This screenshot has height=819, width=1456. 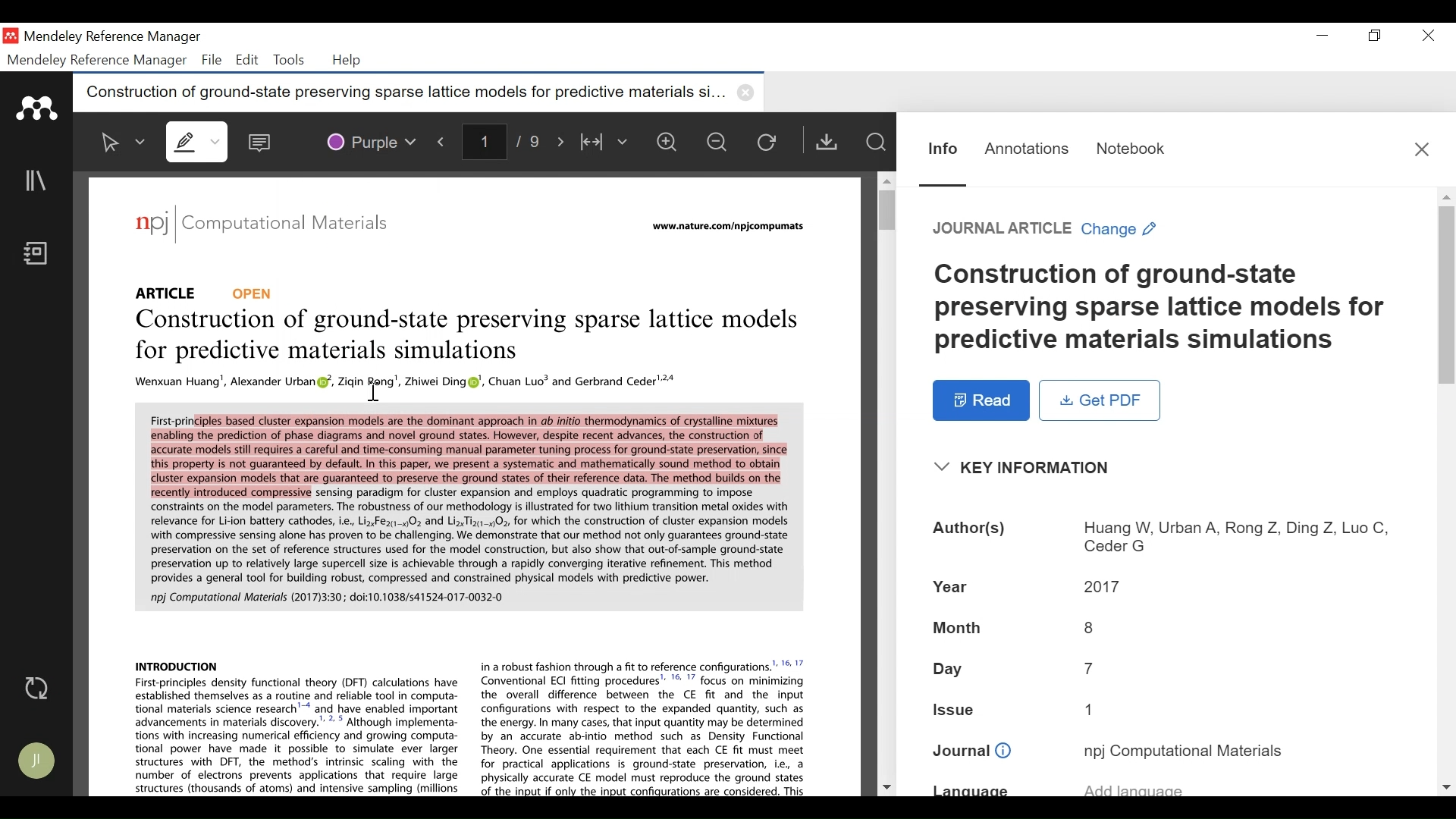 I want to click on Highlight text, so click(x=197, y=142).